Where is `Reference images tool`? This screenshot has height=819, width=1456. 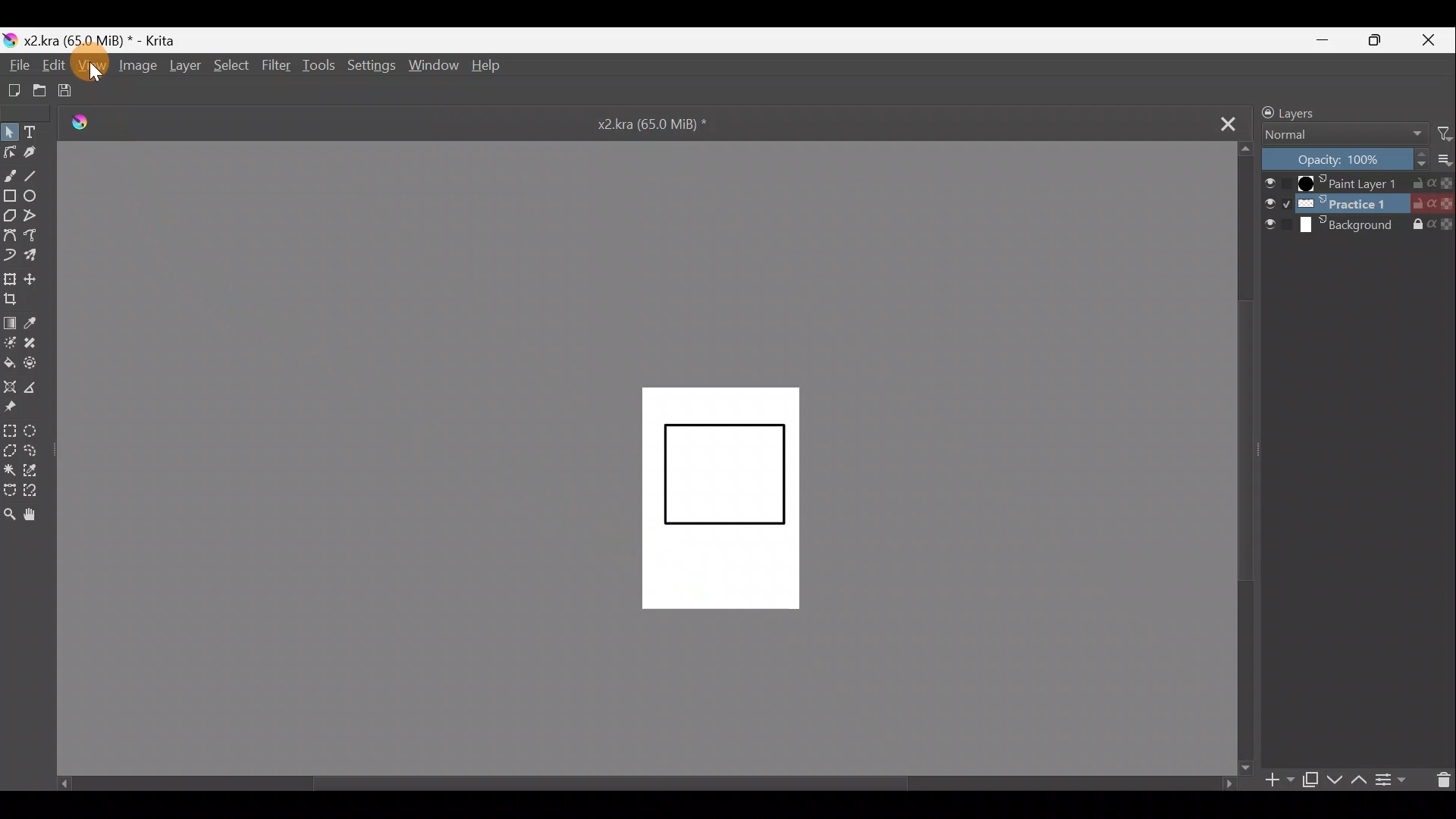 Reference images tool is located at coordinates (17, 407).